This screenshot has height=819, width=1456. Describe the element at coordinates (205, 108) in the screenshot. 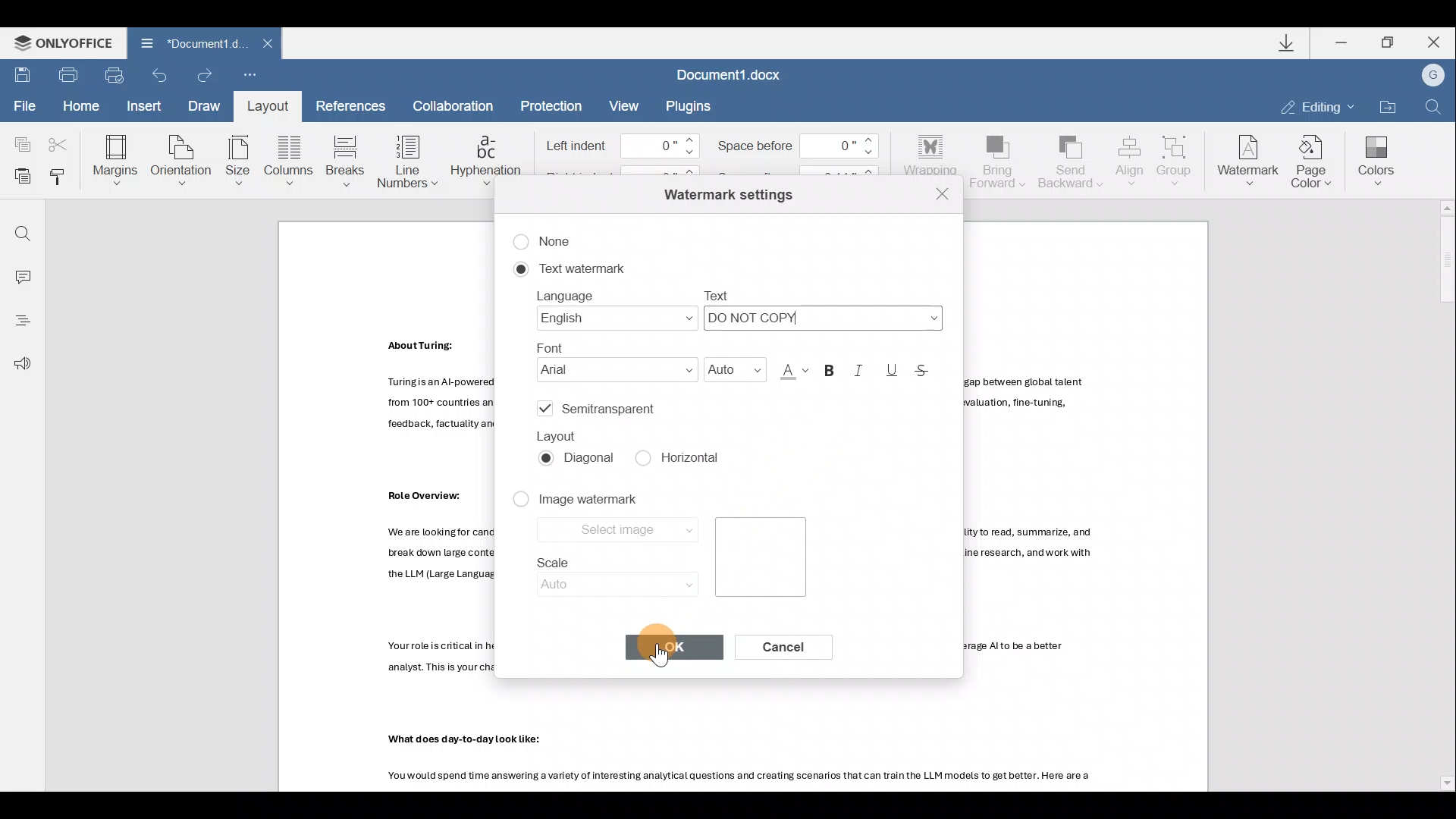

I see `Draw` at that location.